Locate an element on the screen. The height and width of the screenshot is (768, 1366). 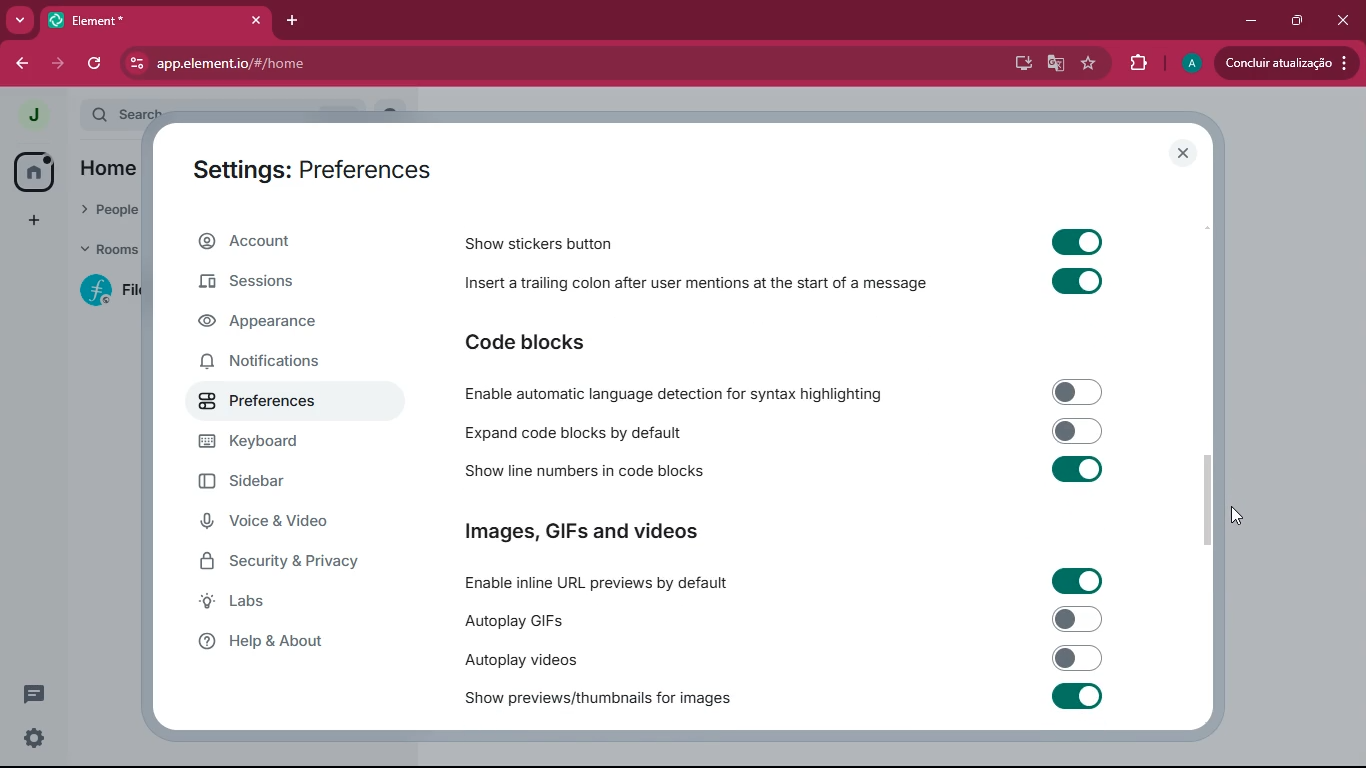
profile picture is located at coordinates (1190, 64).